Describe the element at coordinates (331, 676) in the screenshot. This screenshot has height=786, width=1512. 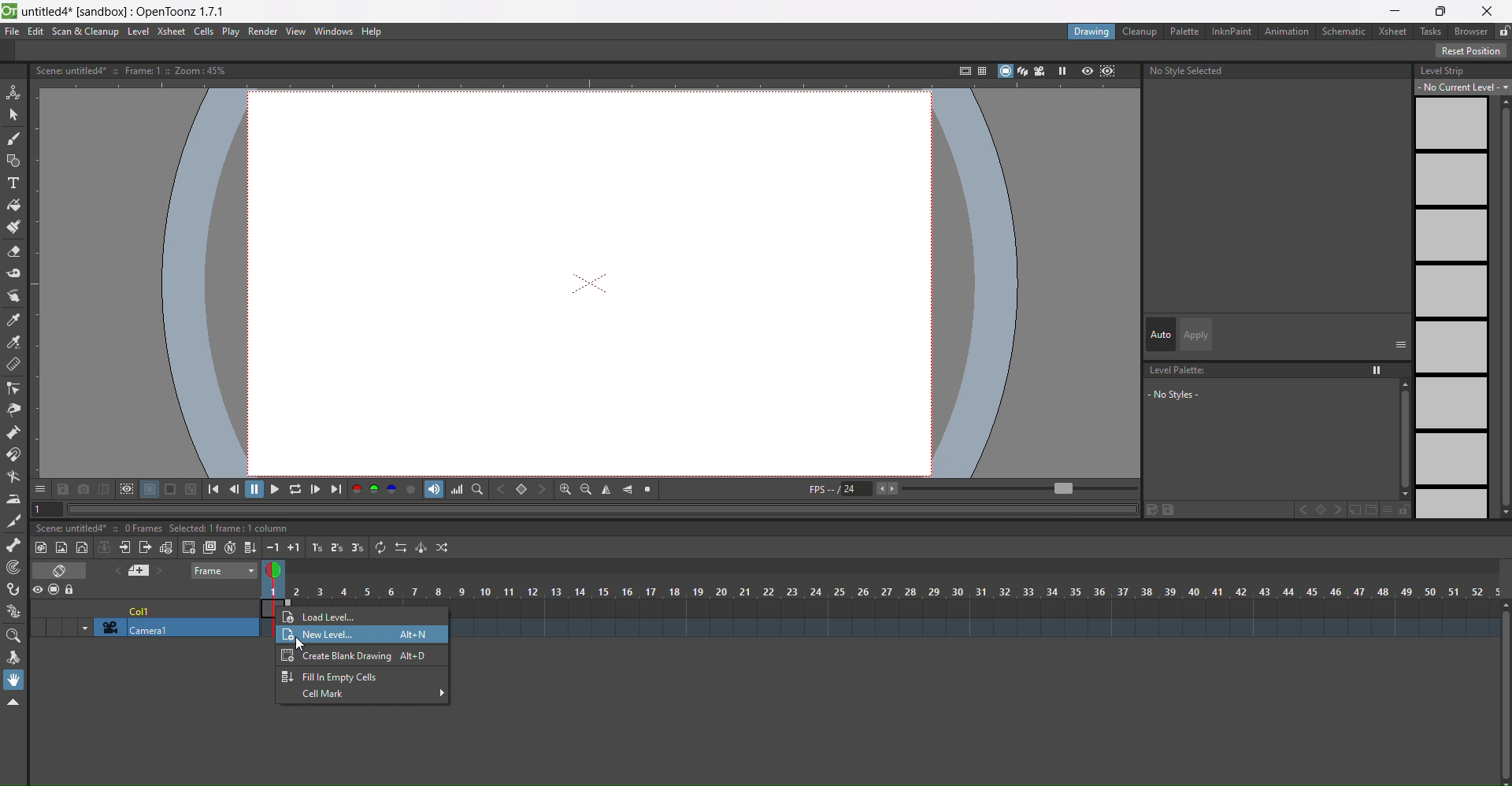
I see `fill in empty cells` at that location.